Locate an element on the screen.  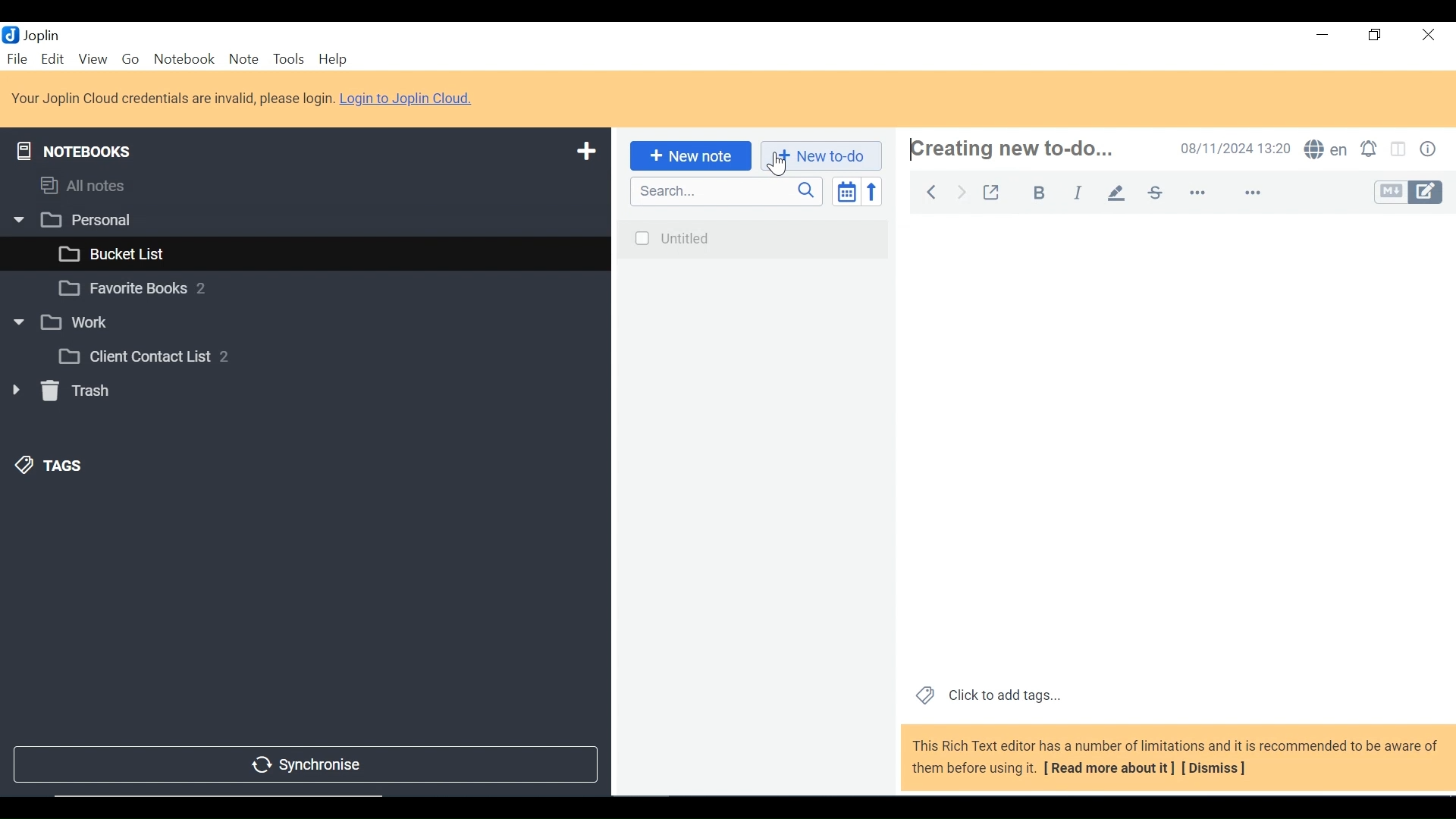
Go is located at coordinates (133, 61).